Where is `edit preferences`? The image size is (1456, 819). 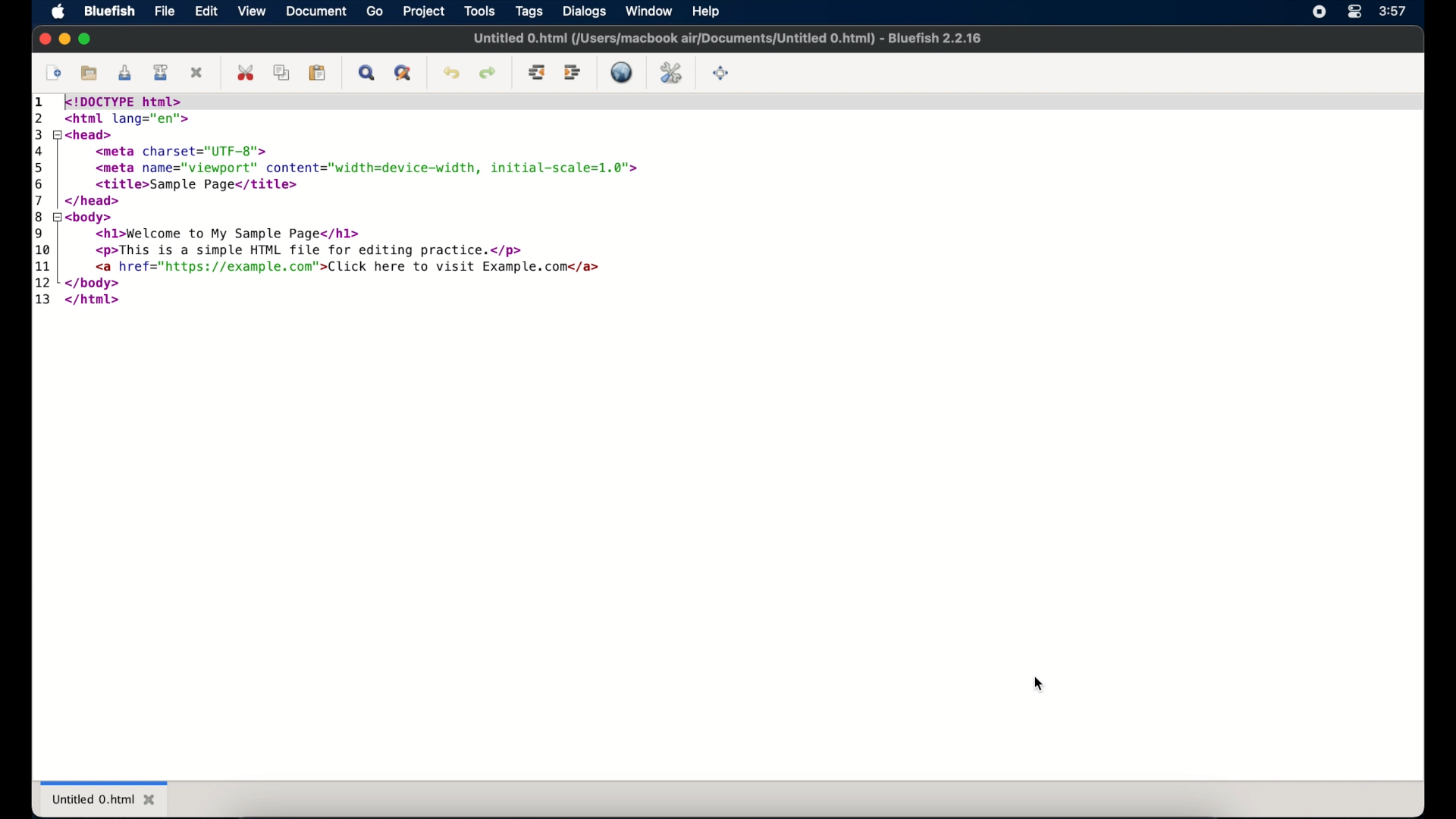 edit preferences is located at coordinates (670, 72).